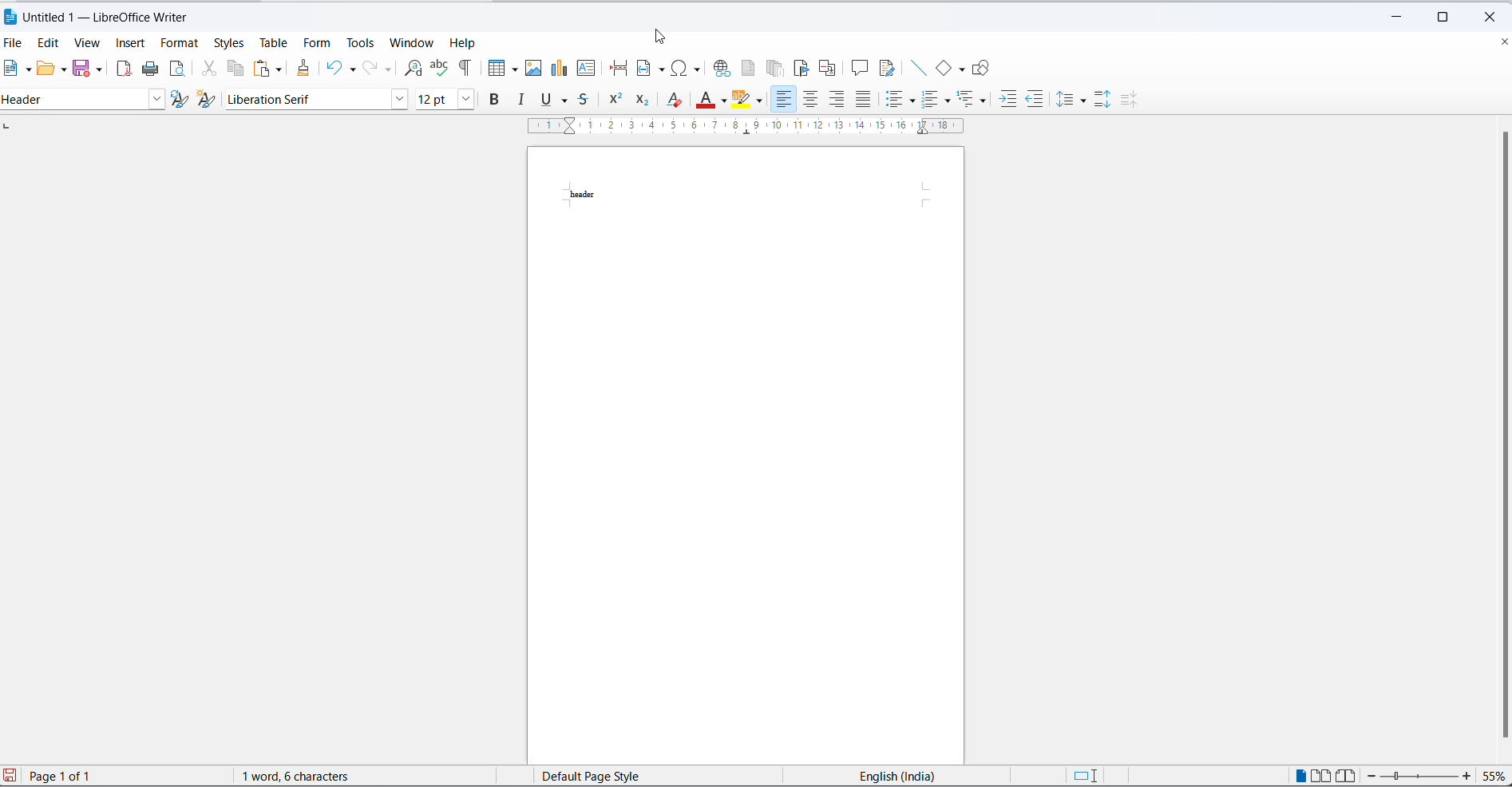 Image resolution: width=1512 pixels, height=787 pixels. What do you see at coordinates (943, 68) in the screenshot?
I see `basic shapes` at bounding box center [943, 68].